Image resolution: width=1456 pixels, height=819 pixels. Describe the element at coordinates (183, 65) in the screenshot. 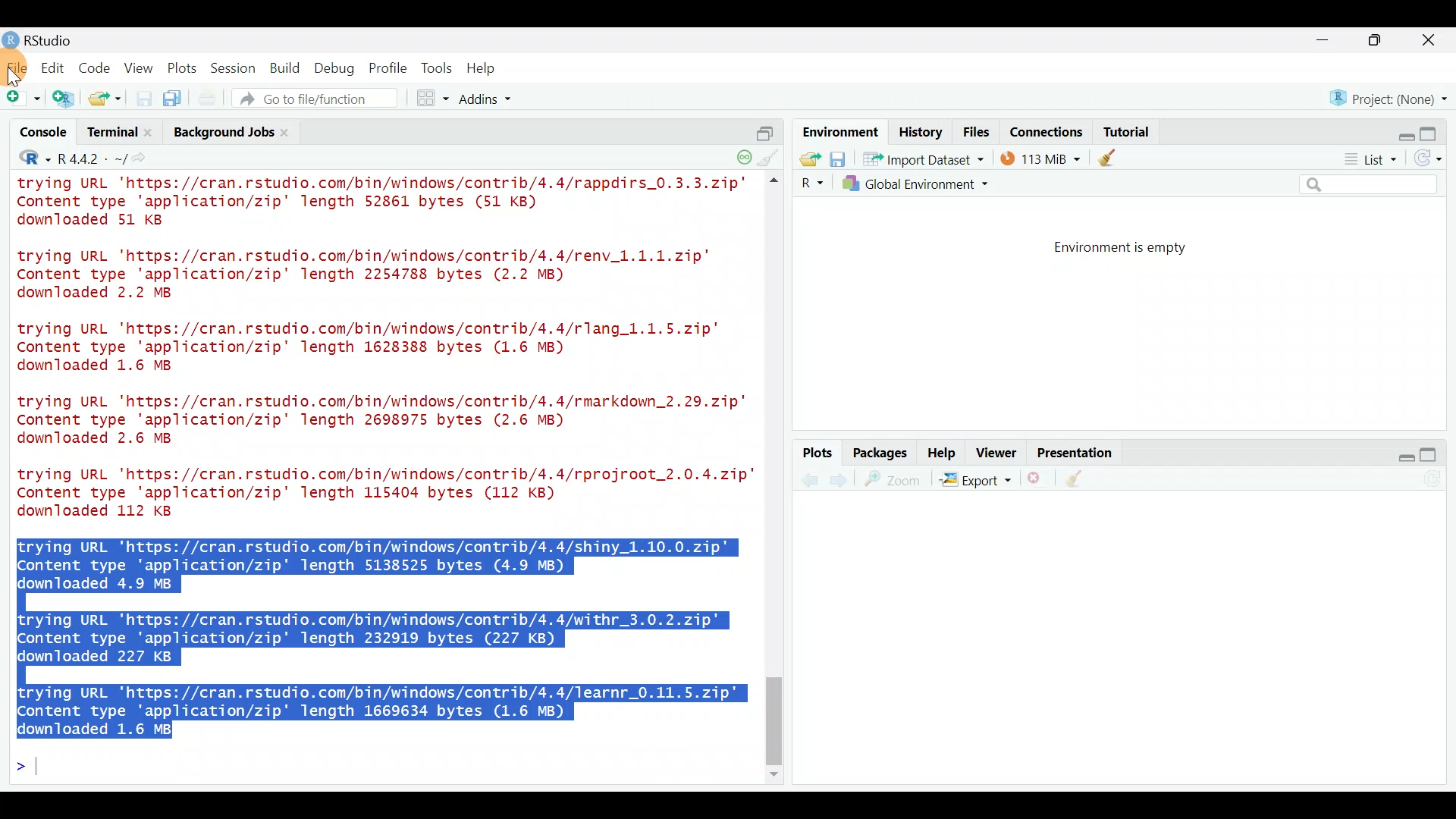

I see `Plots` at that location.